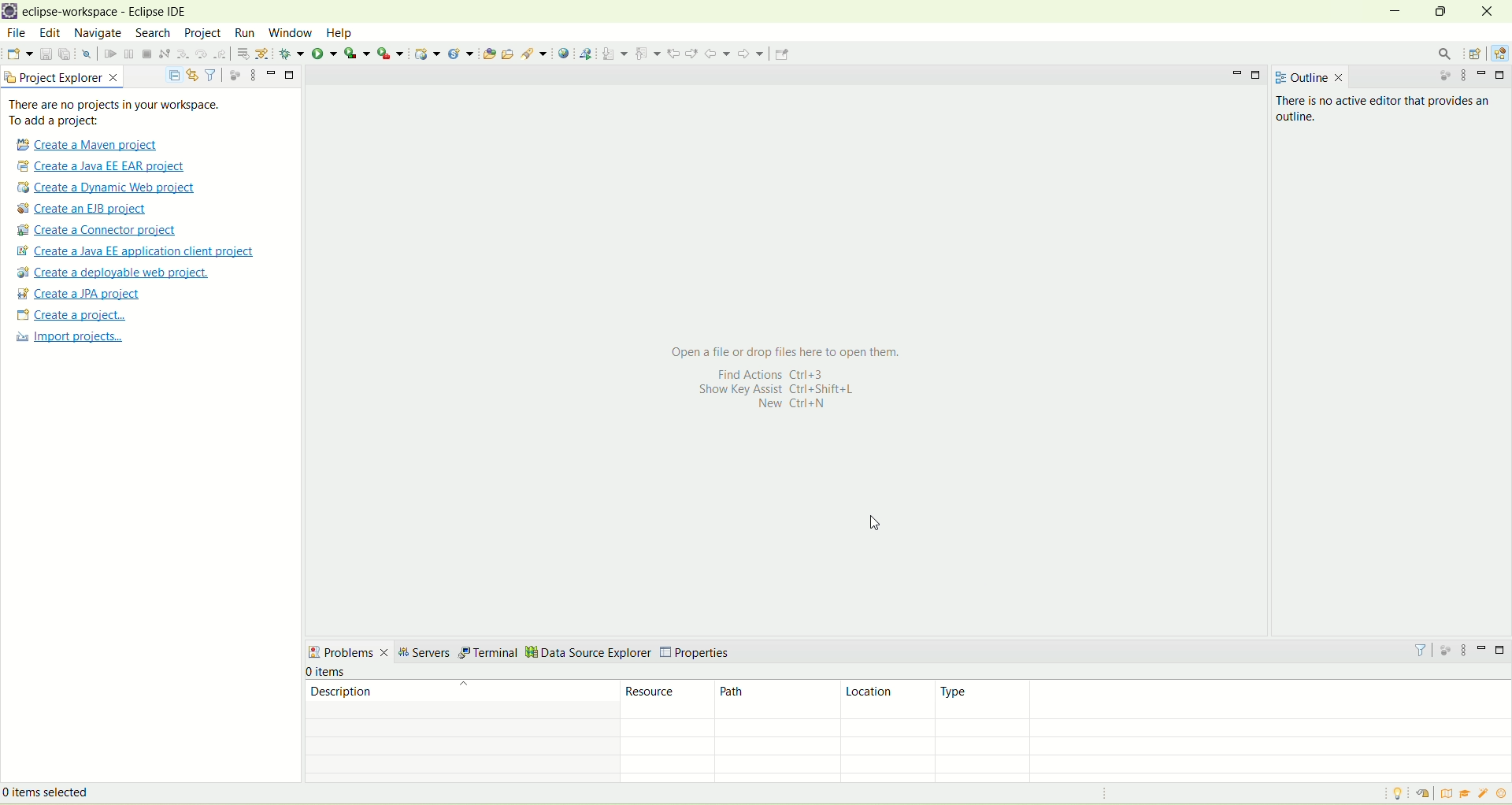 Image resolution: width=1512 pixels, height=805 pixels. What do you see at coordinates (521, 54) in the screenshot?
I see `create a new java servlet` at bounding box center [521, 54].